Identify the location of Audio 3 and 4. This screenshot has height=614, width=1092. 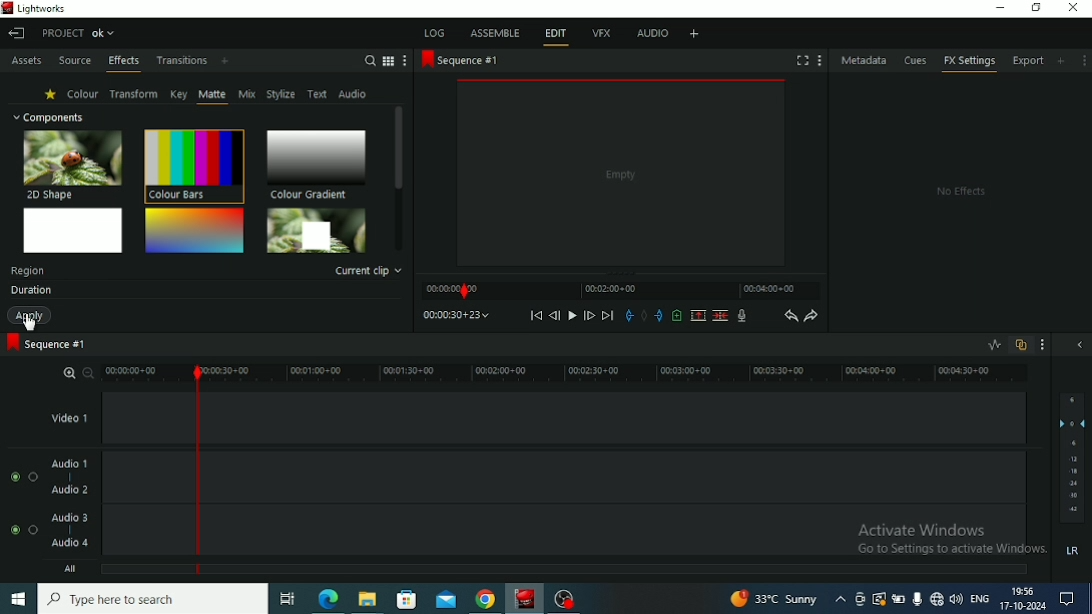
(89, 532).